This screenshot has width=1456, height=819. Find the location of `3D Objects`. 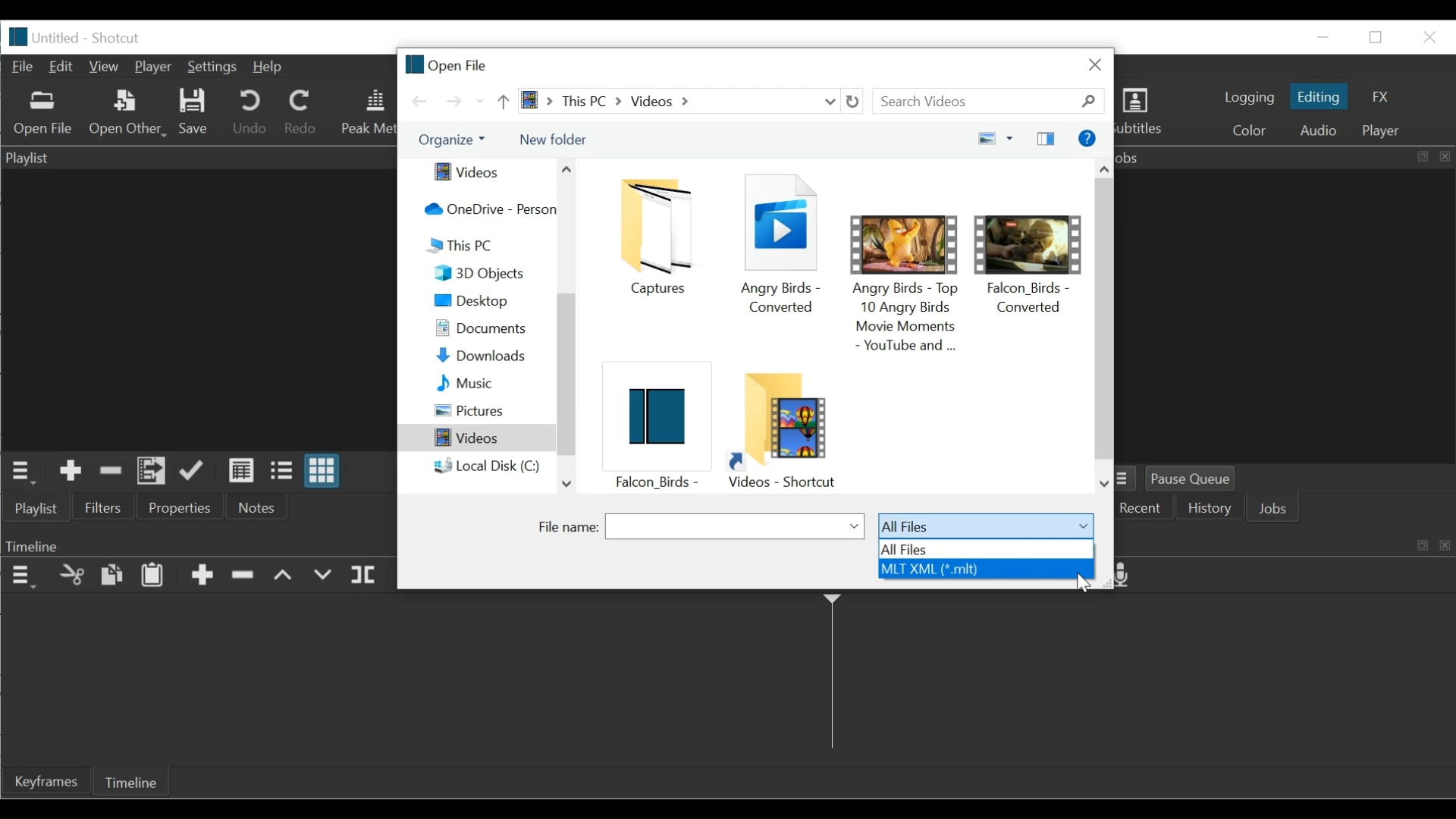

3D Objects is located at coordinates (492, 273).